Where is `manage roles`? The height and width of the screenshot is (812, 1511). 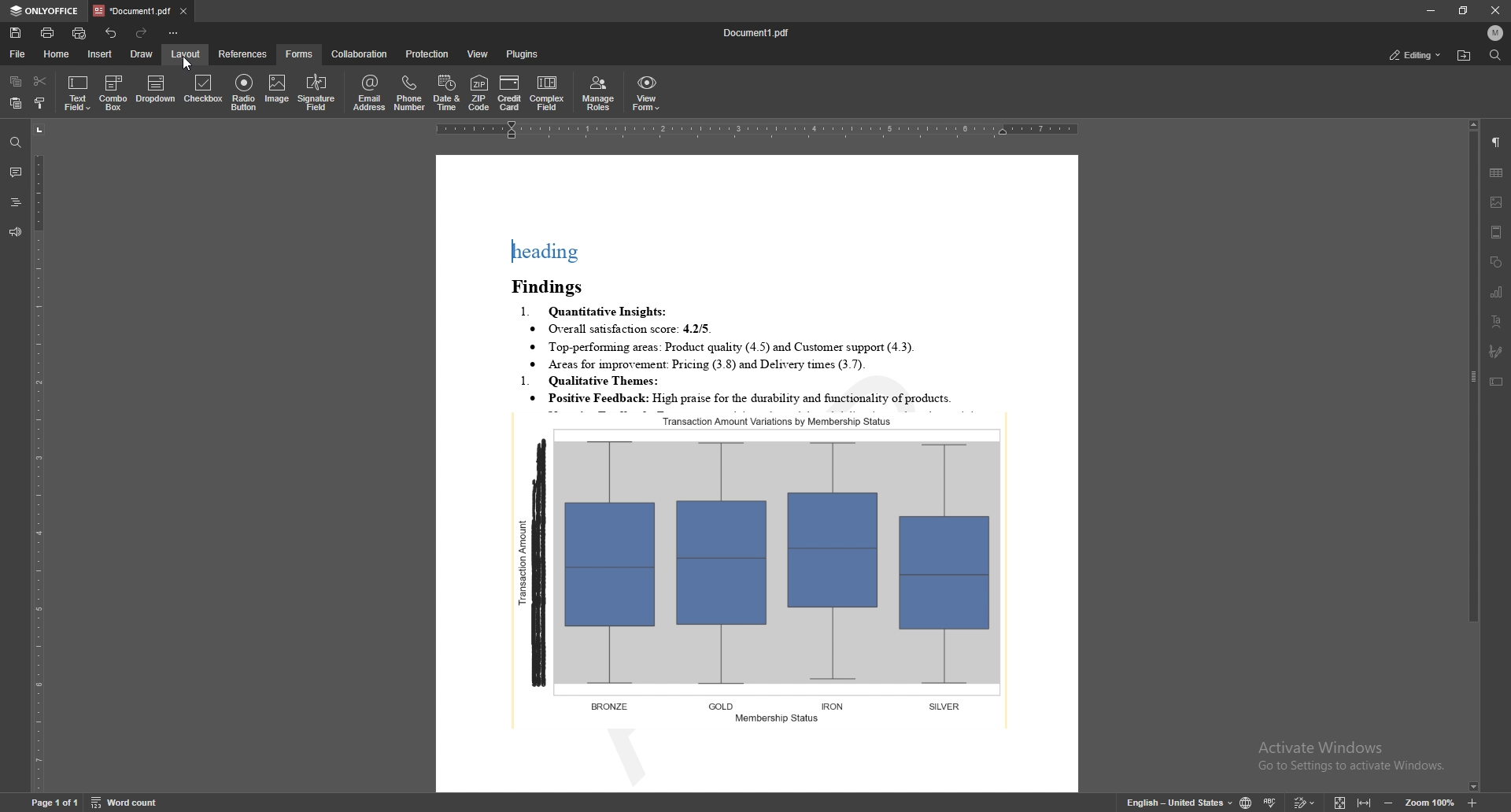 manage roles is located at coordinates (599, 94).